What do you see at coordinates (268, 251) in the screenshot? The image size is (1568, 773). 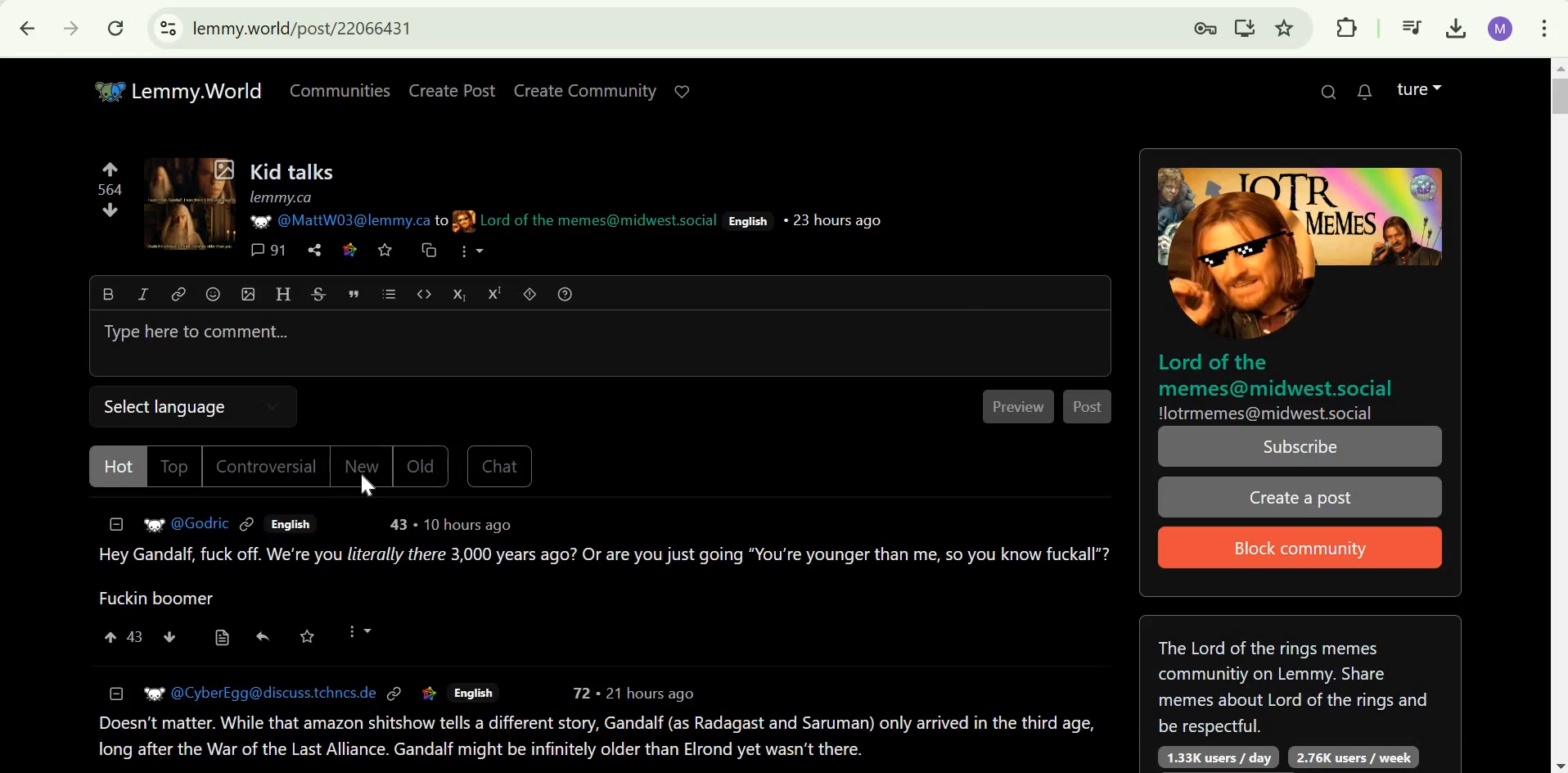 I see `91 comments` at bounding box center [268, 251].